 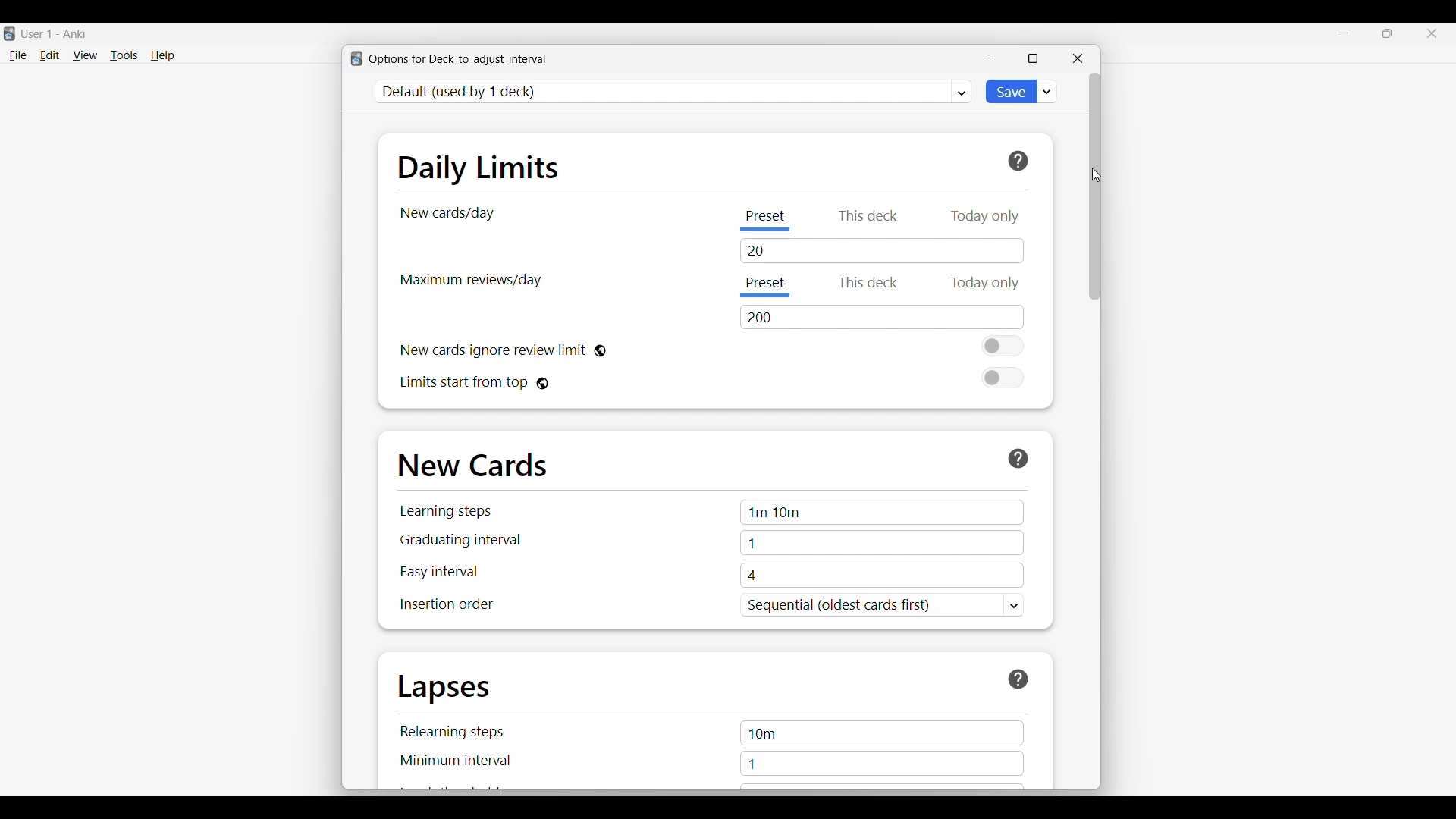 I want to click on 200, so click(x=884, y=317).